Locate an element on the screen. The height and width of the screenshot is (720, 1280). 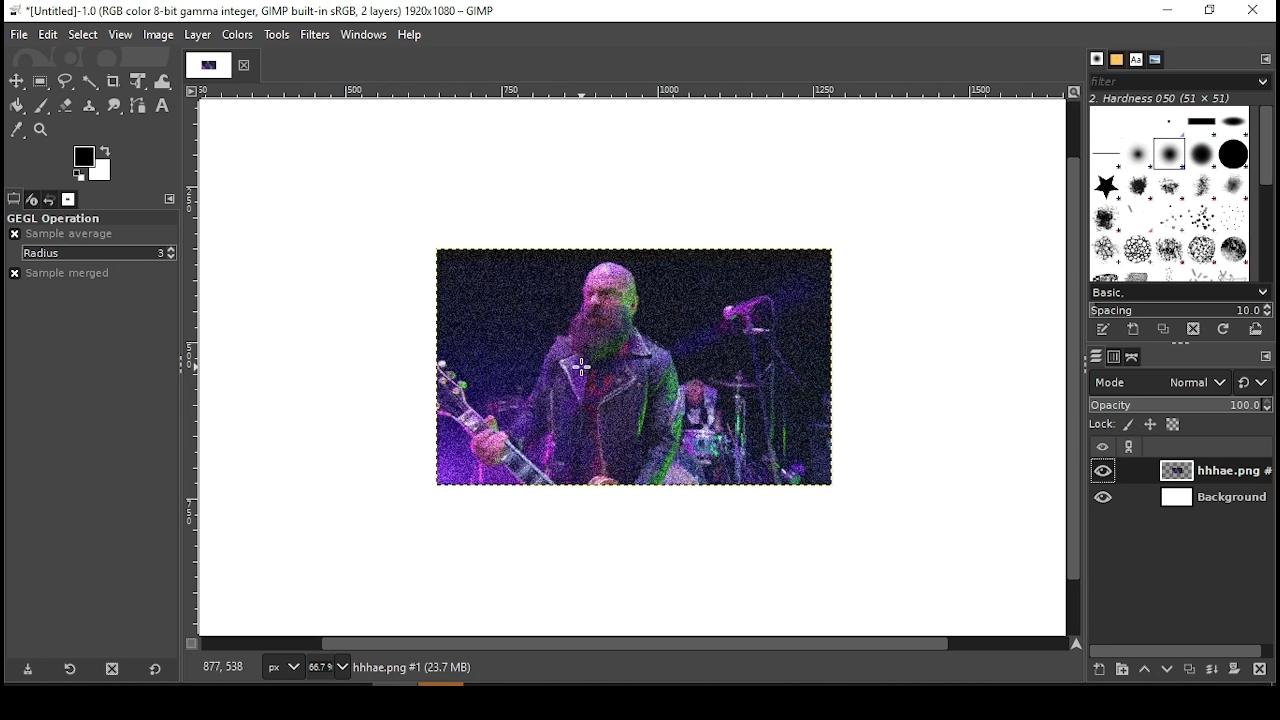
crop tool is located at coordinates (114, 81).